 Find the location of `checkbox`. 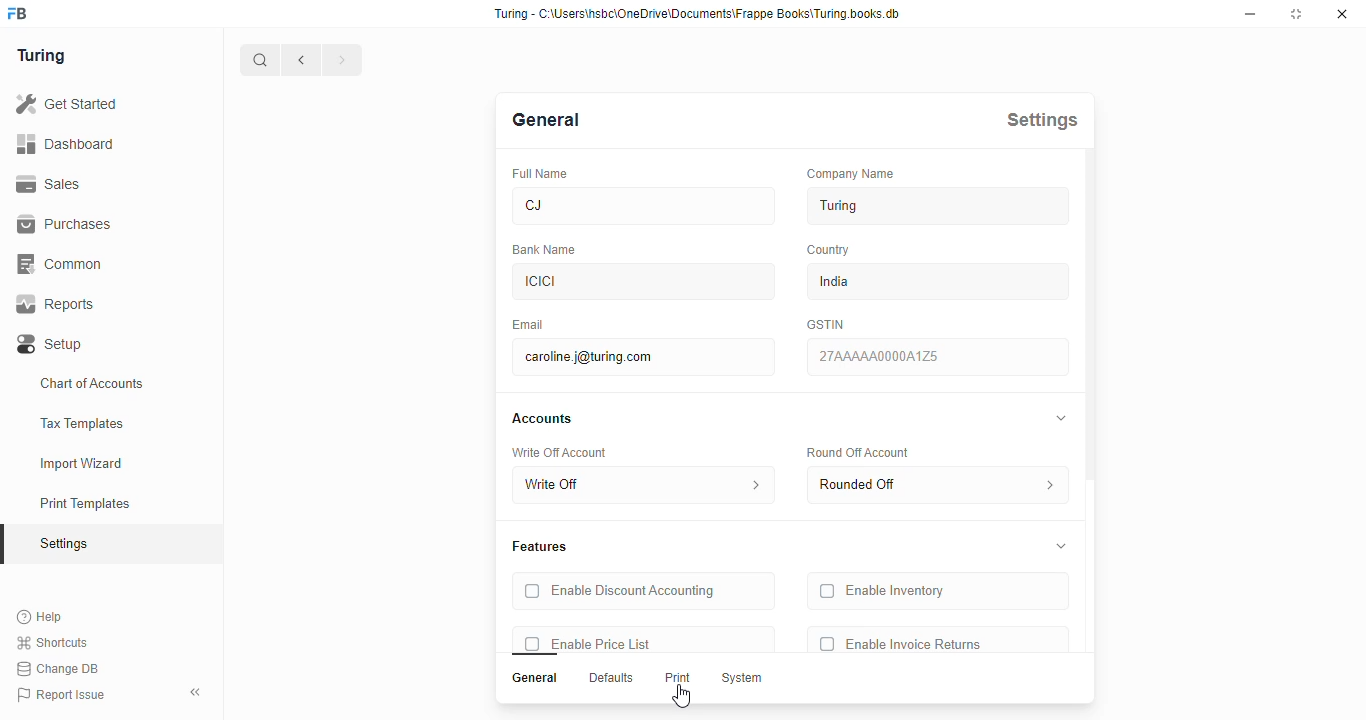

checkbox is located at coordinates (828, 643).